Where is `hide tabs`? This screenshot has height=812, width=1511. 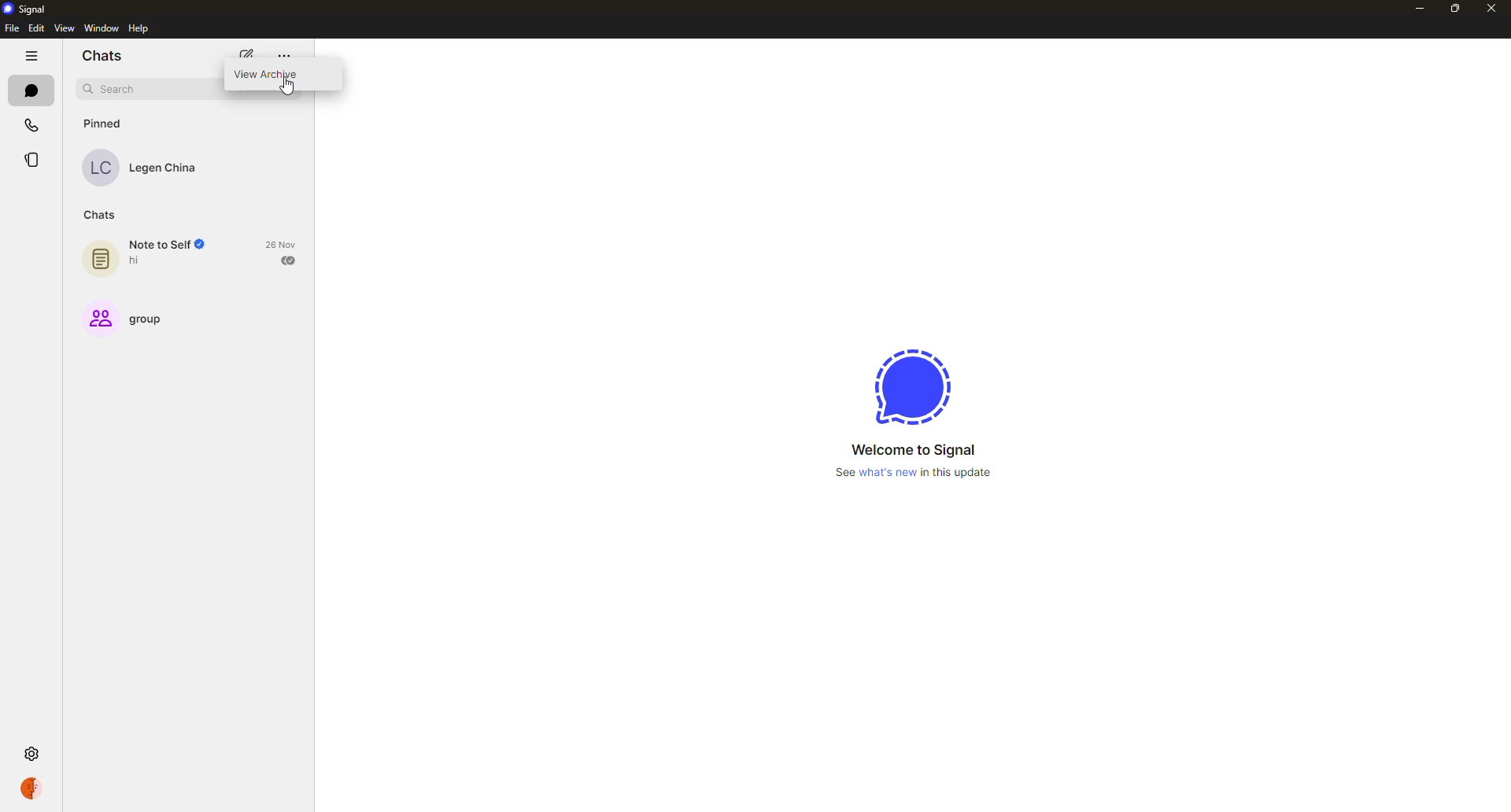 hide tabs is located at coordinates (31, 57).